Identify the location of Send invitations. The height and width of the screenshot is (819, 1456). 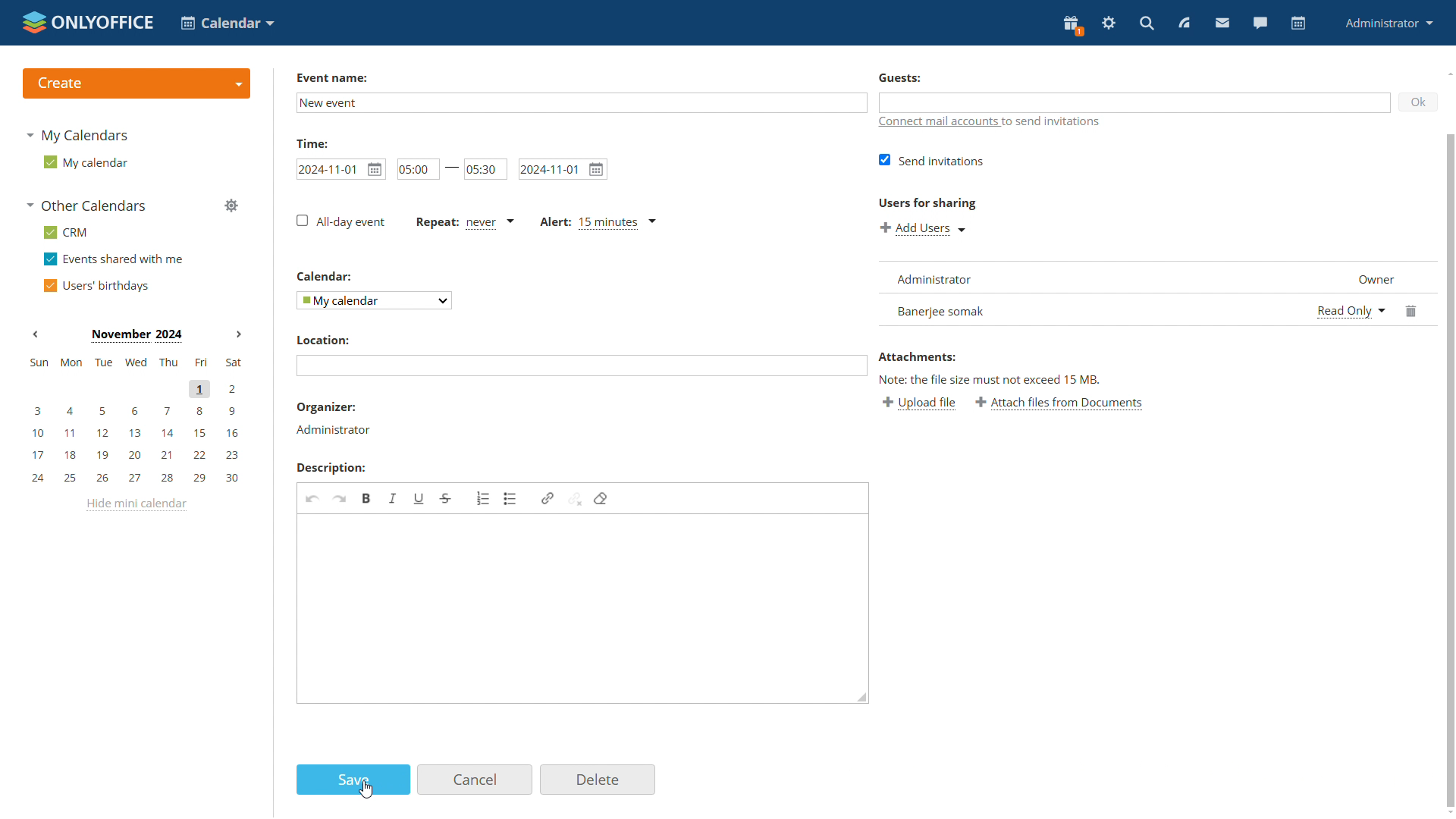
(932, 160).